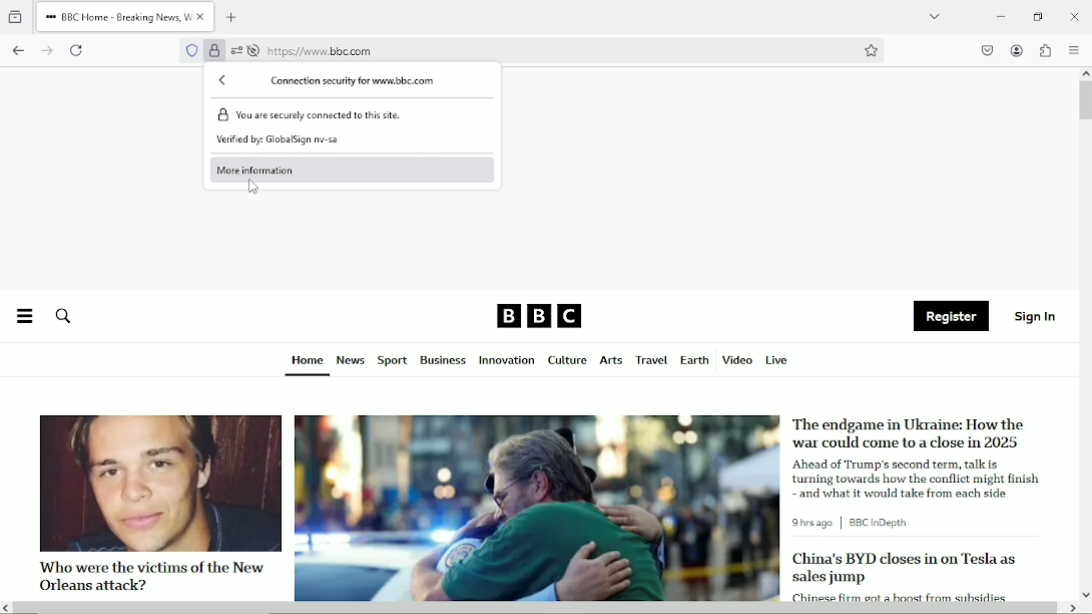 The width and height of the screenshot is (1092, 614). Describe the element at coordinates (1085, 73) in the screenshot. I see `scroll up` at that location.